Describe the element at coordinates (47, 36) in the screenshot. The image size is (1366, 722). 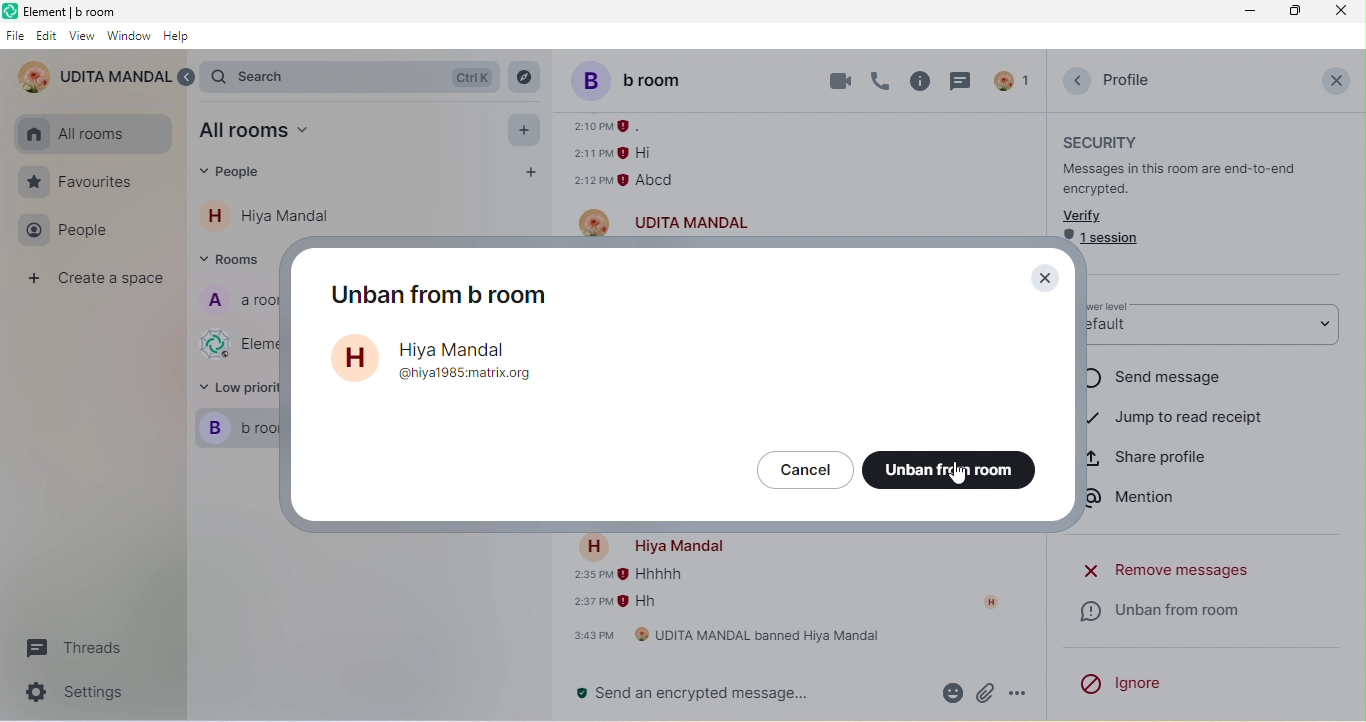
I see `edit` at that location.